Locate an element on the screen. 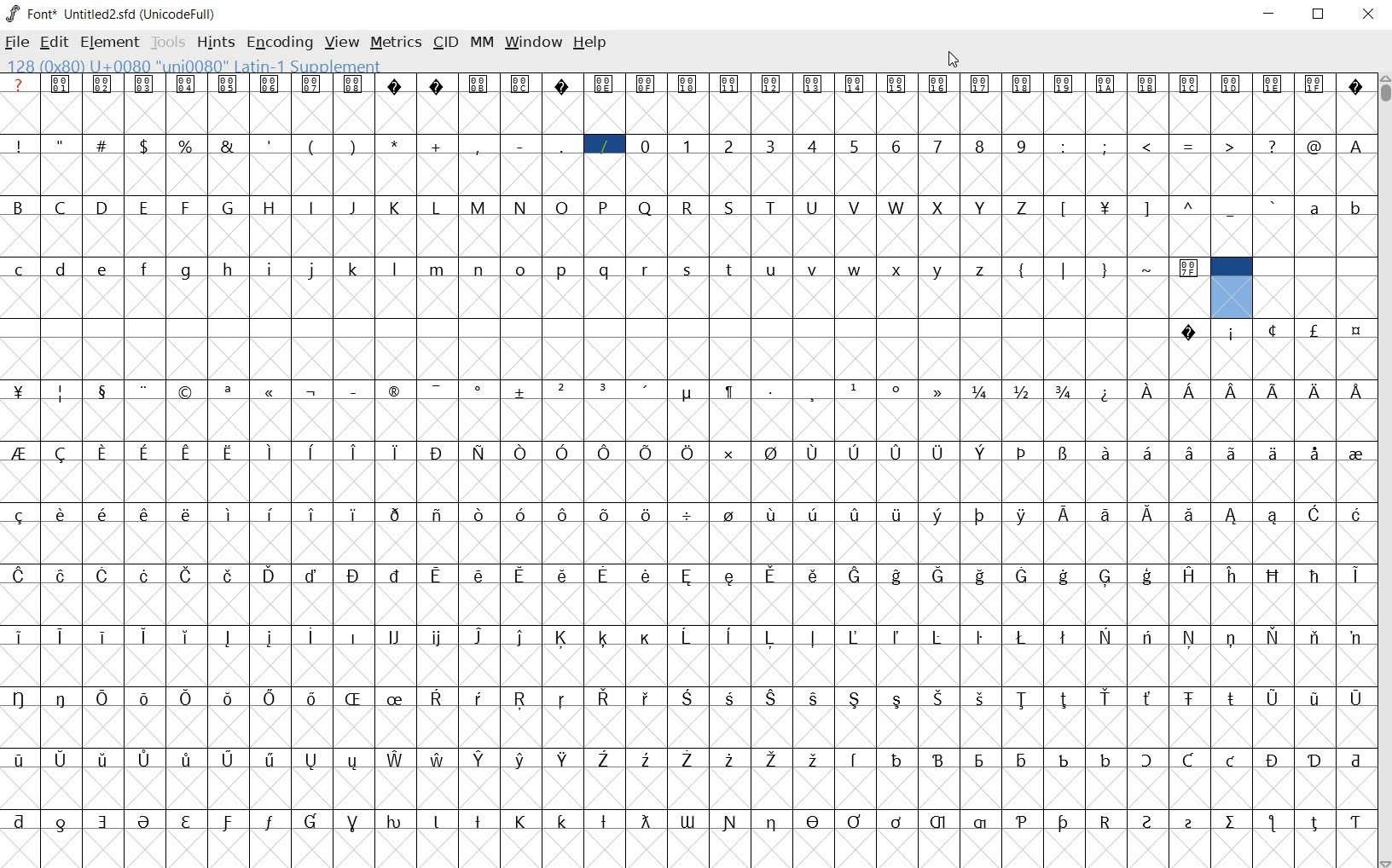 The height and width of the screenshot is (868, 1392). z is located at coordinates (981, 269).